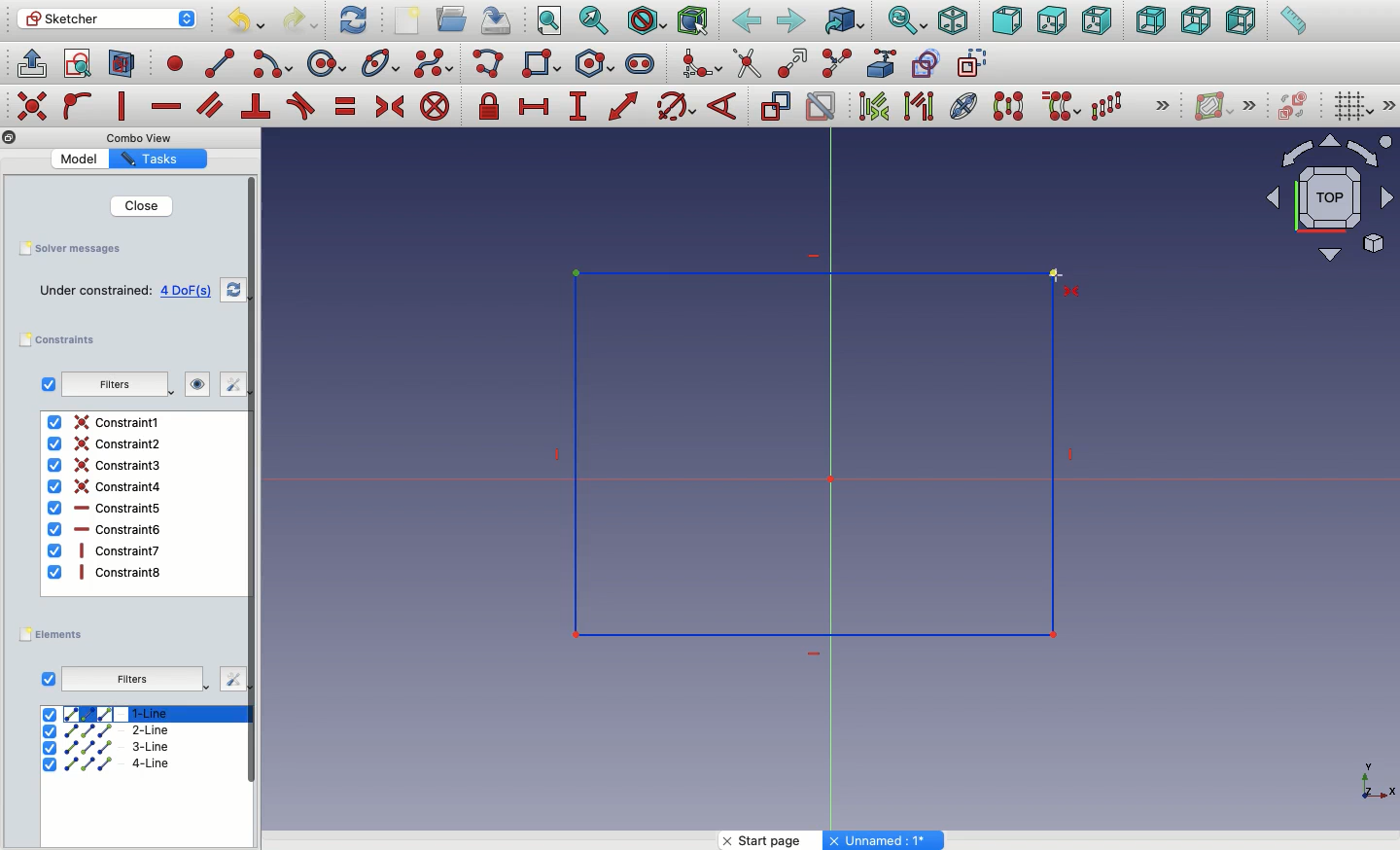  Describe the element at coordinates (107, 466) in the screenshot. I see `Constraint3` at that location.